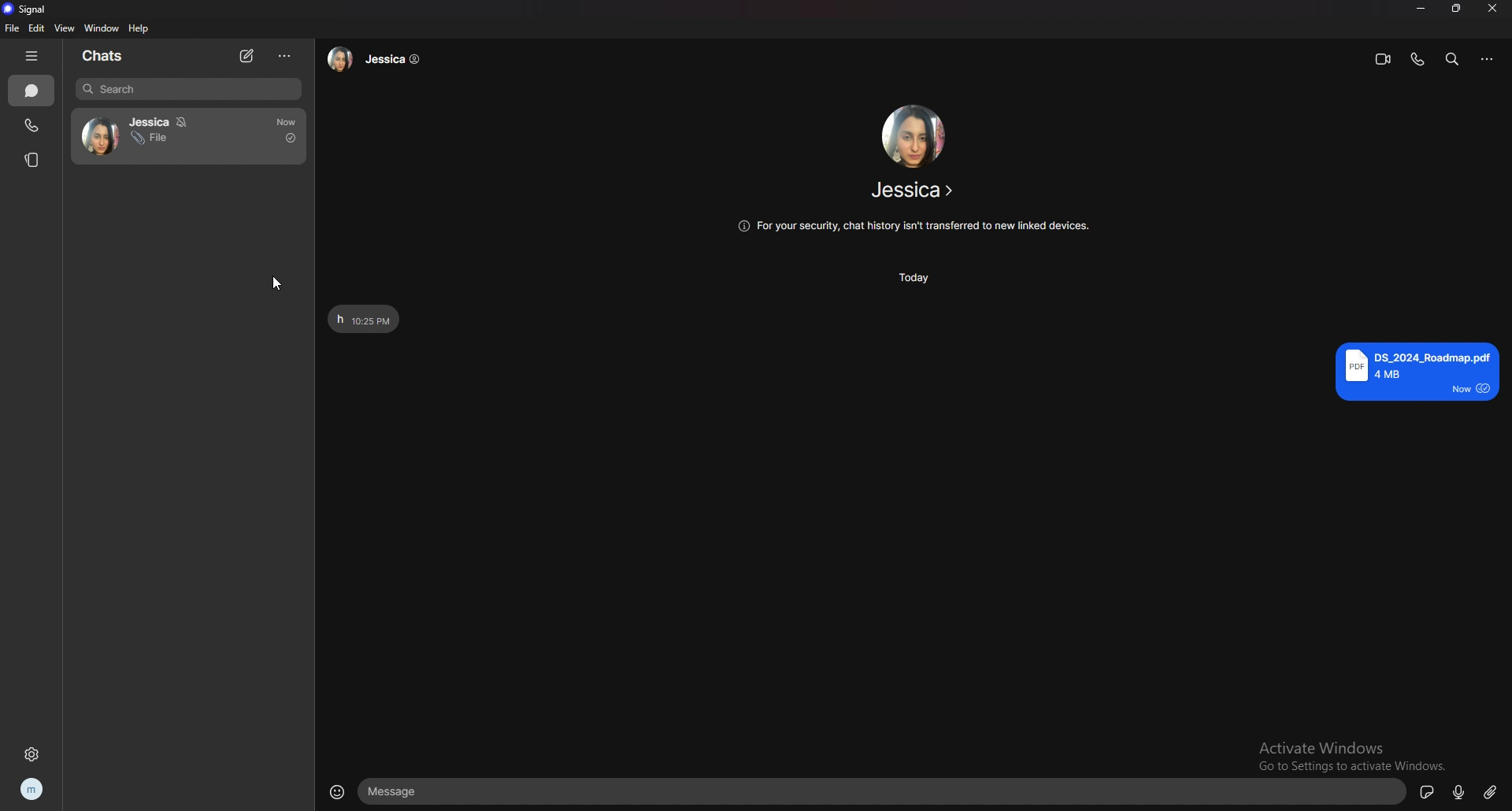  Describe the element at coordinates (1427, 791) in the screenshot. I see `sticker` at that location.